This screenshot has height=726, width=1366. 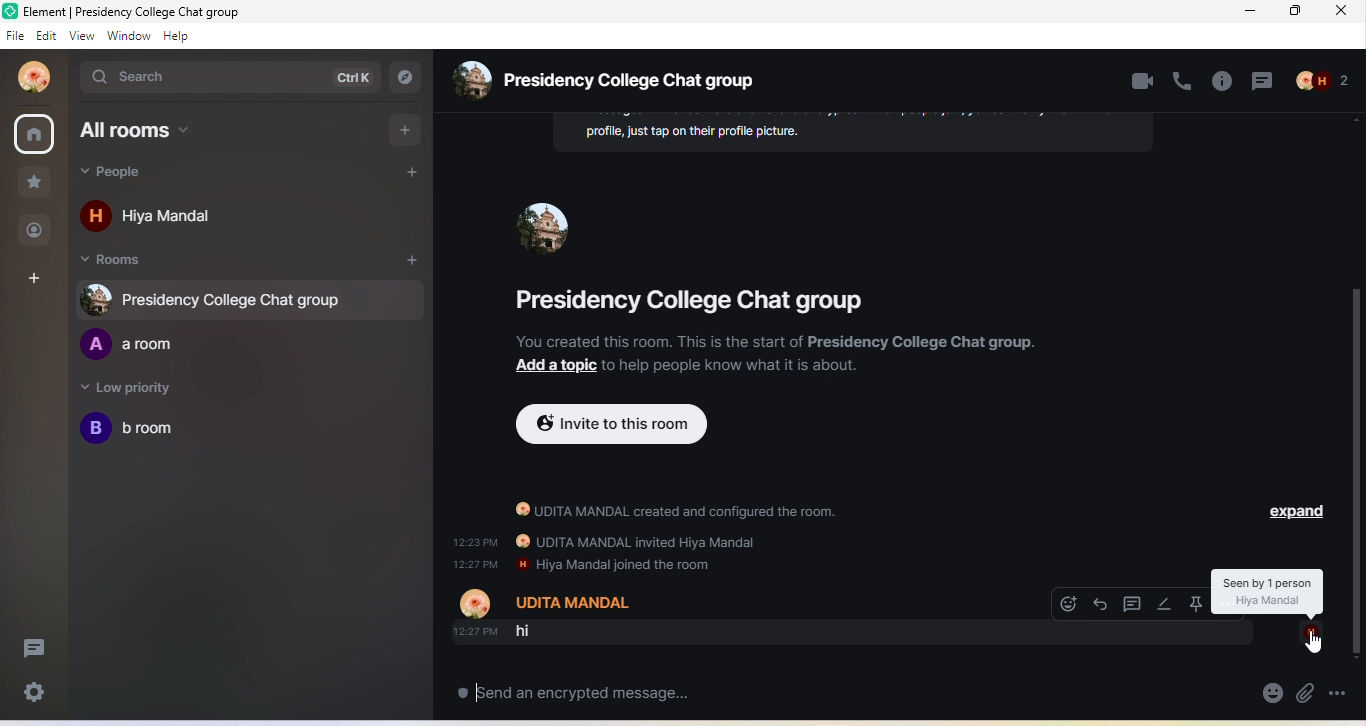 I want to click on older message, so click(x=736, y=564).